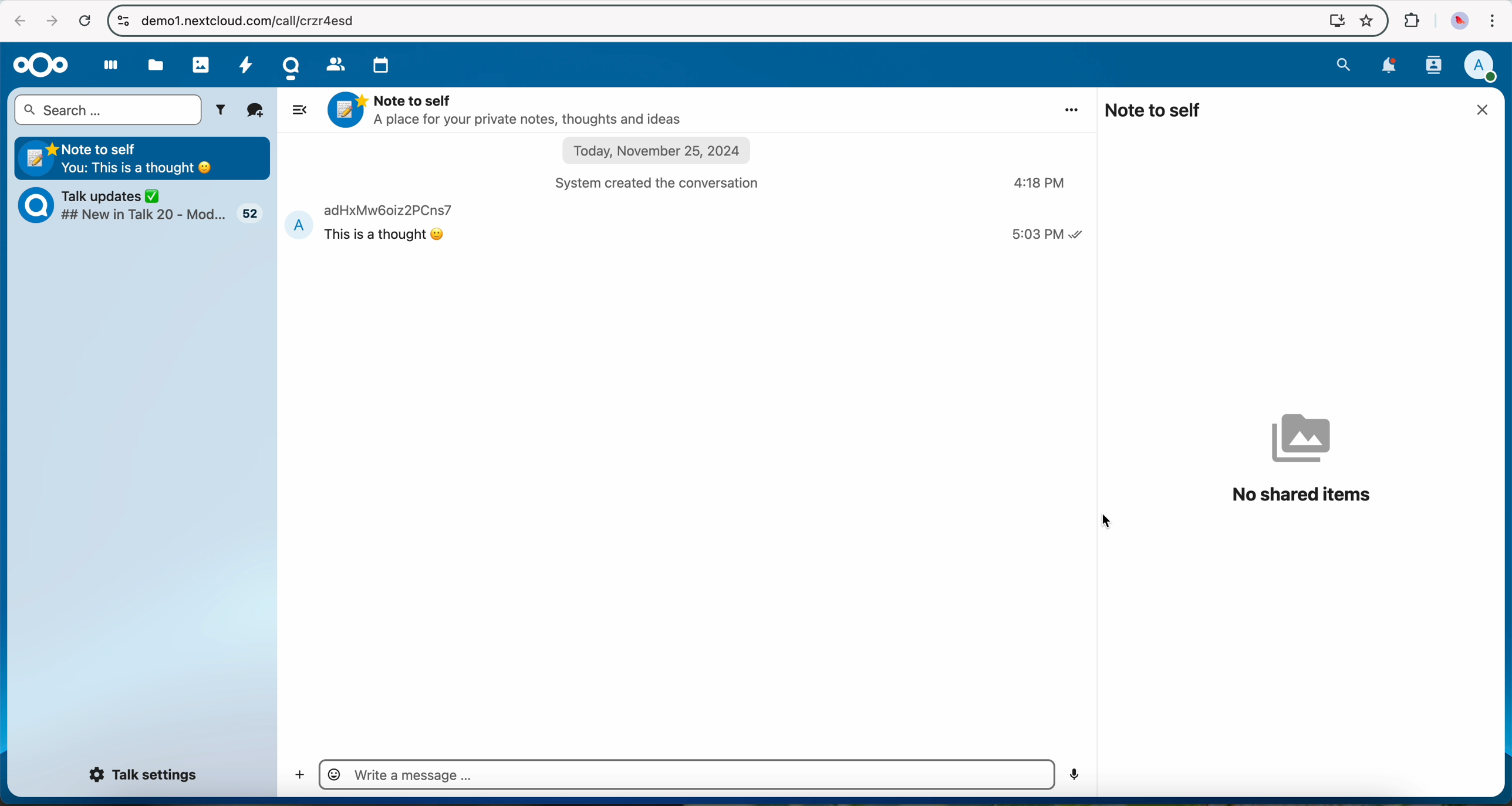 The width and height of the screenshot is (1512, 806). I want to click on photos, so click(200, 63).